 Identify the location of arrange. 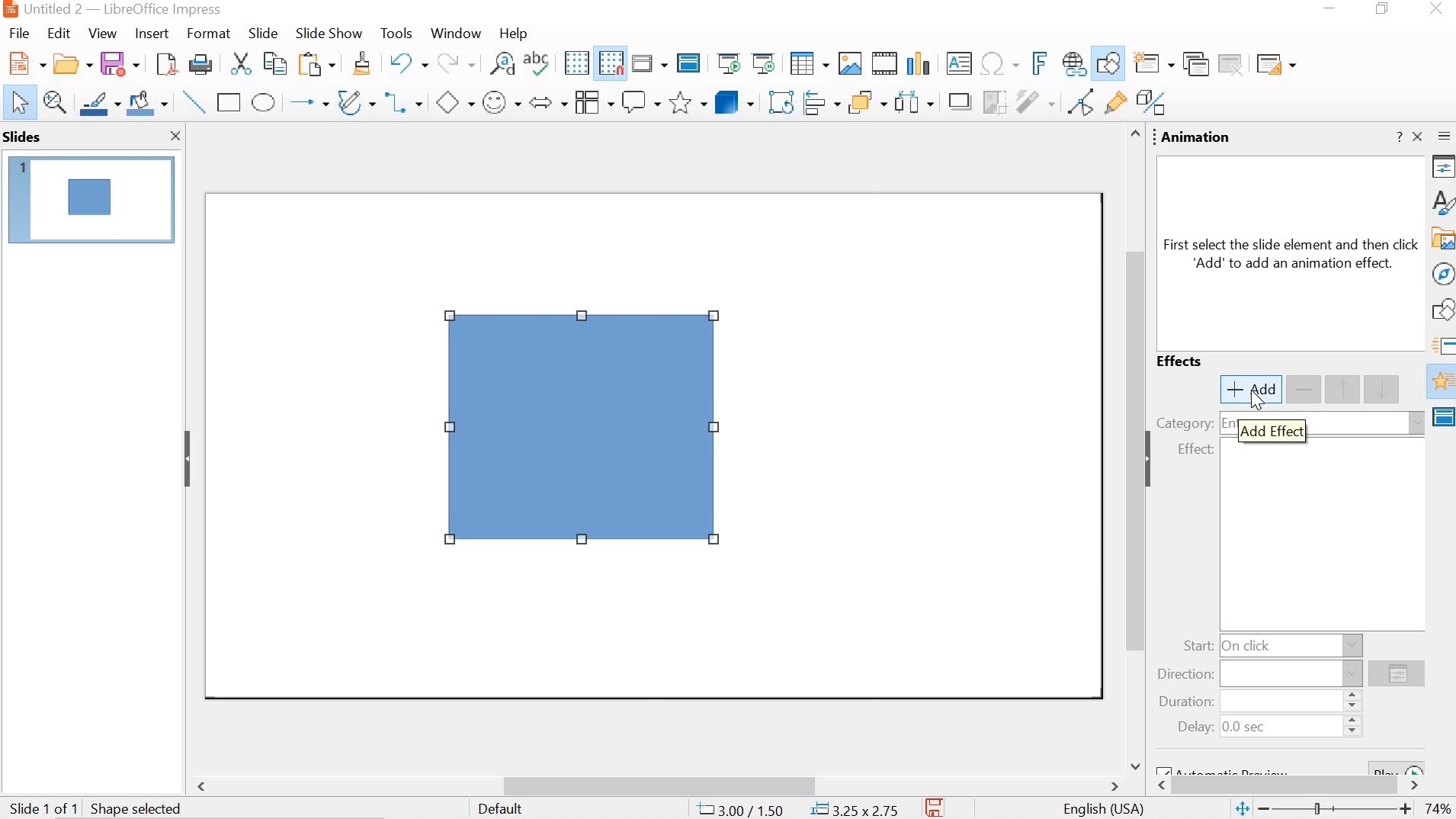
(870, 100).